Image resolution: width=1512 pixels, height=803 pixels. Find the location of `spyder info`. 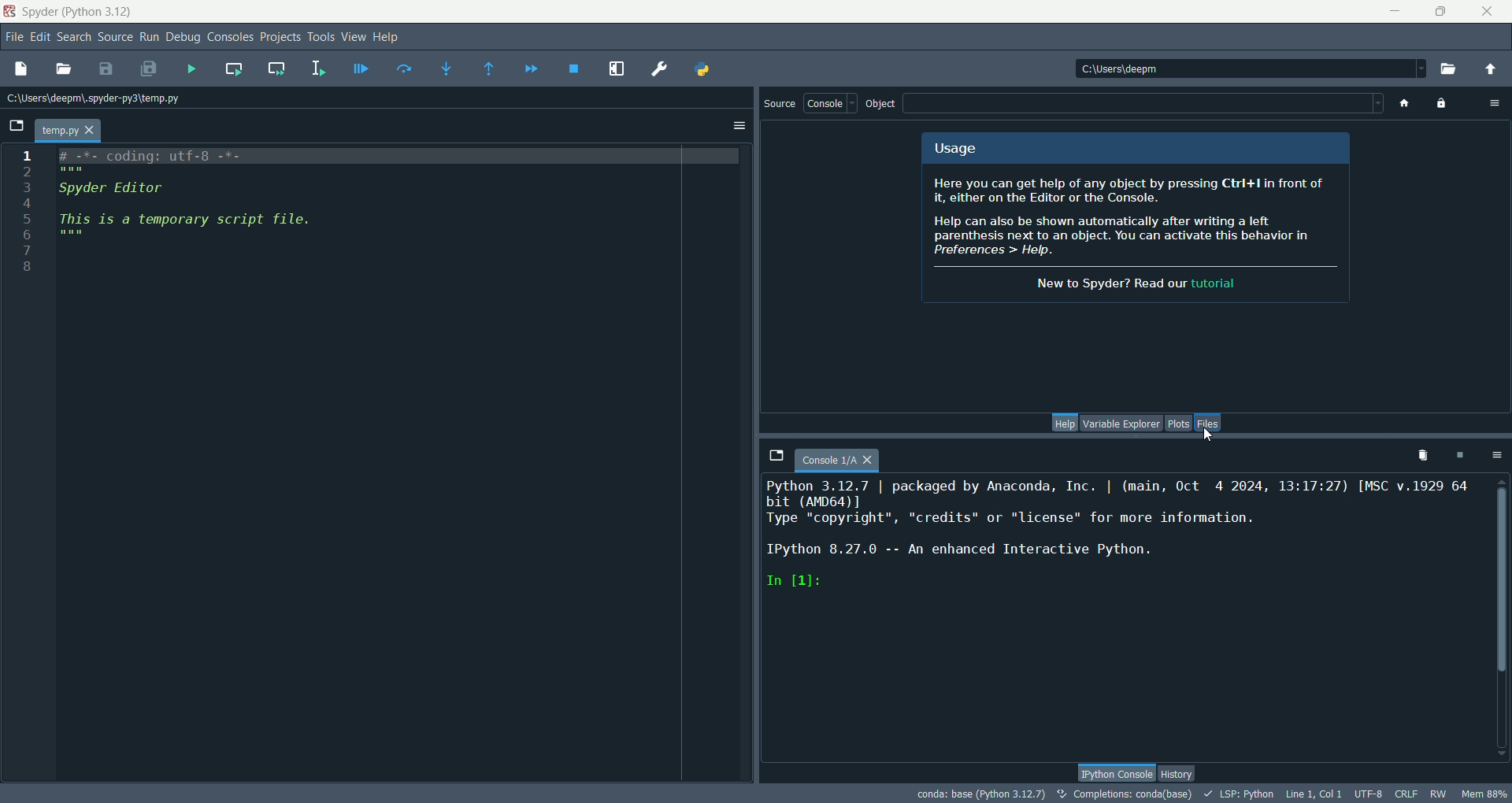

spyder info is located at coordinates (1136, 236).